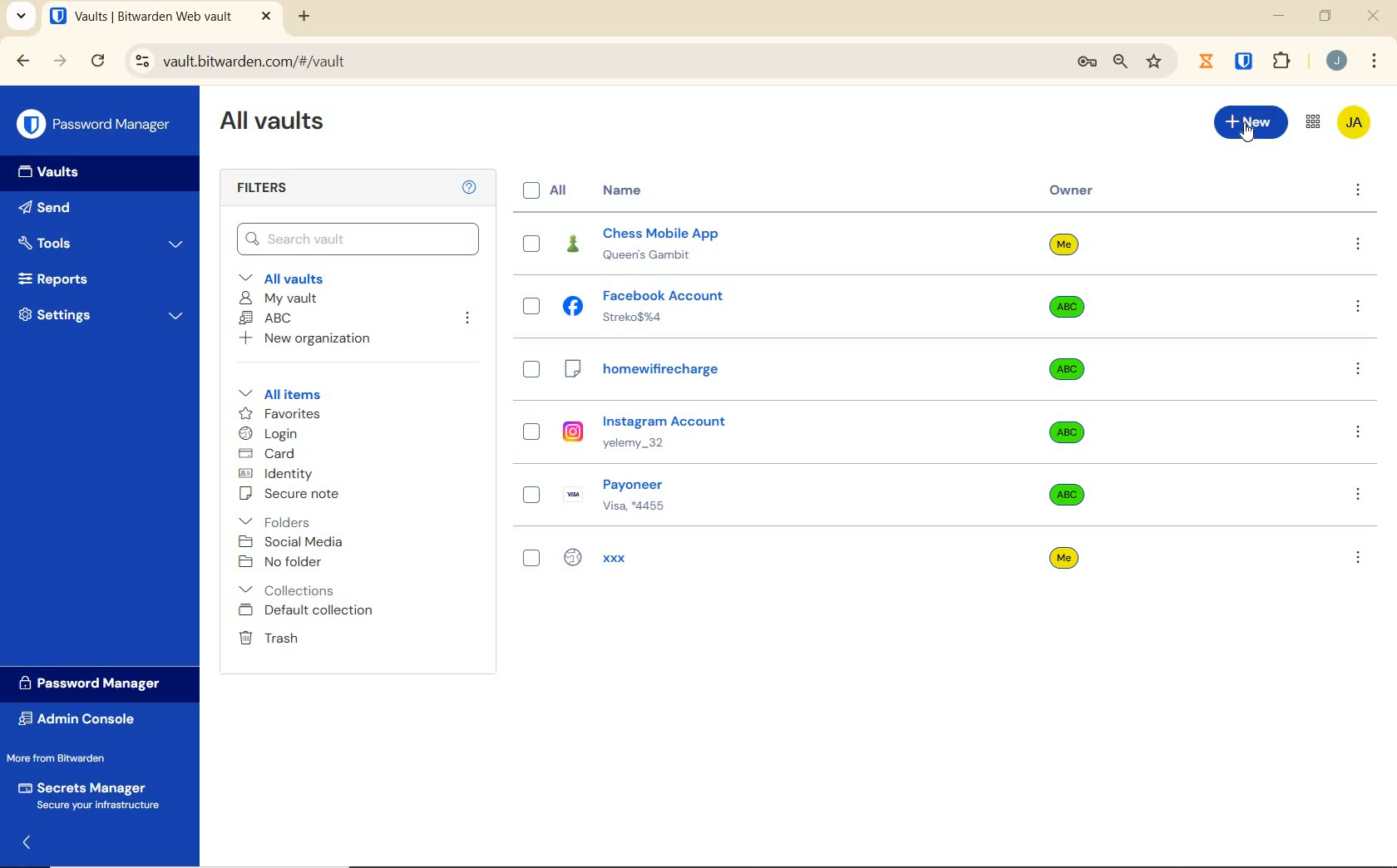 This screenshot has height=868, width=1397. I want to click on Filters, so click(266, 186).